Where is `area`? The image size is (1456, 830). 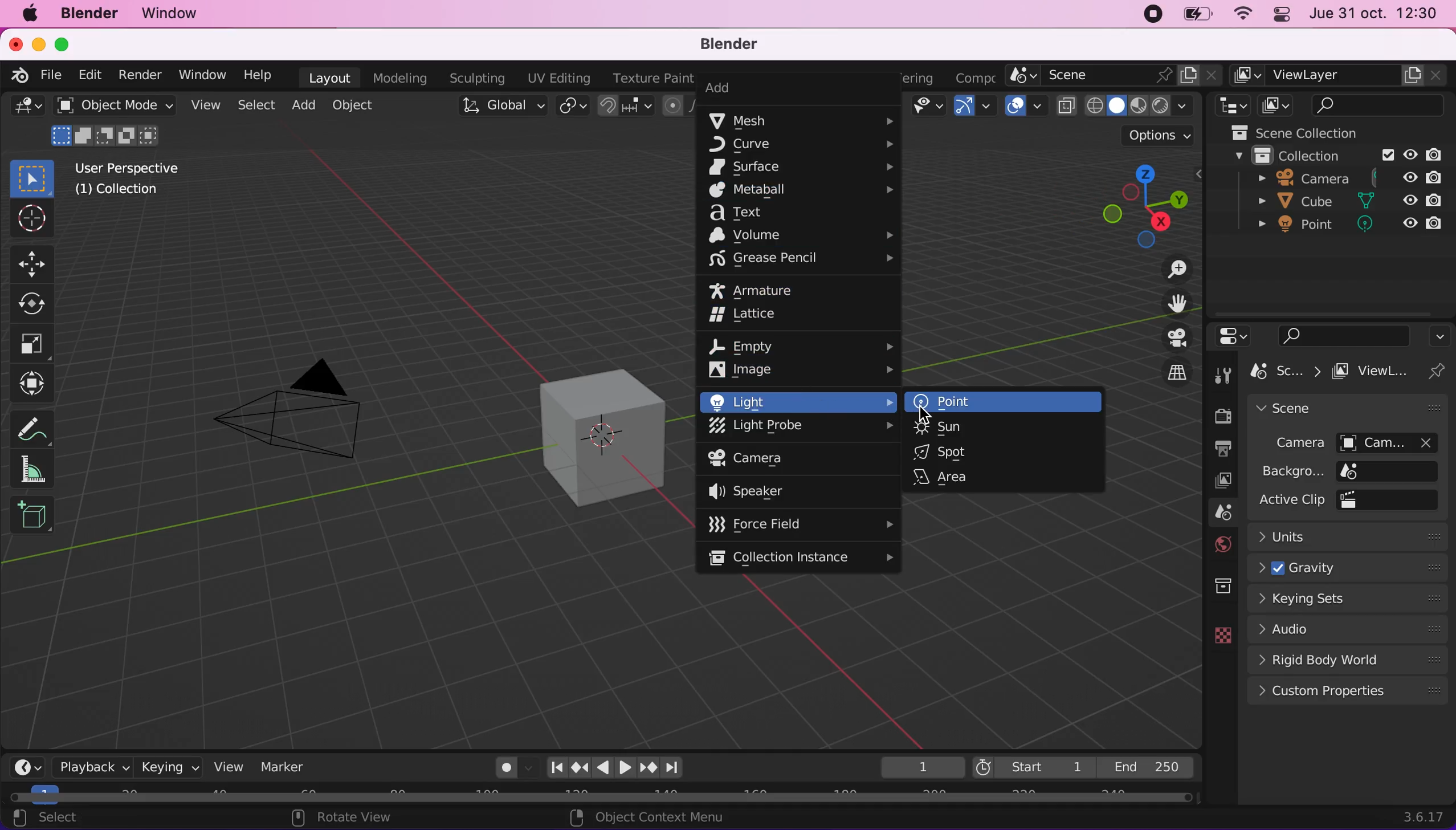
area is located at coordinates (957, 477).